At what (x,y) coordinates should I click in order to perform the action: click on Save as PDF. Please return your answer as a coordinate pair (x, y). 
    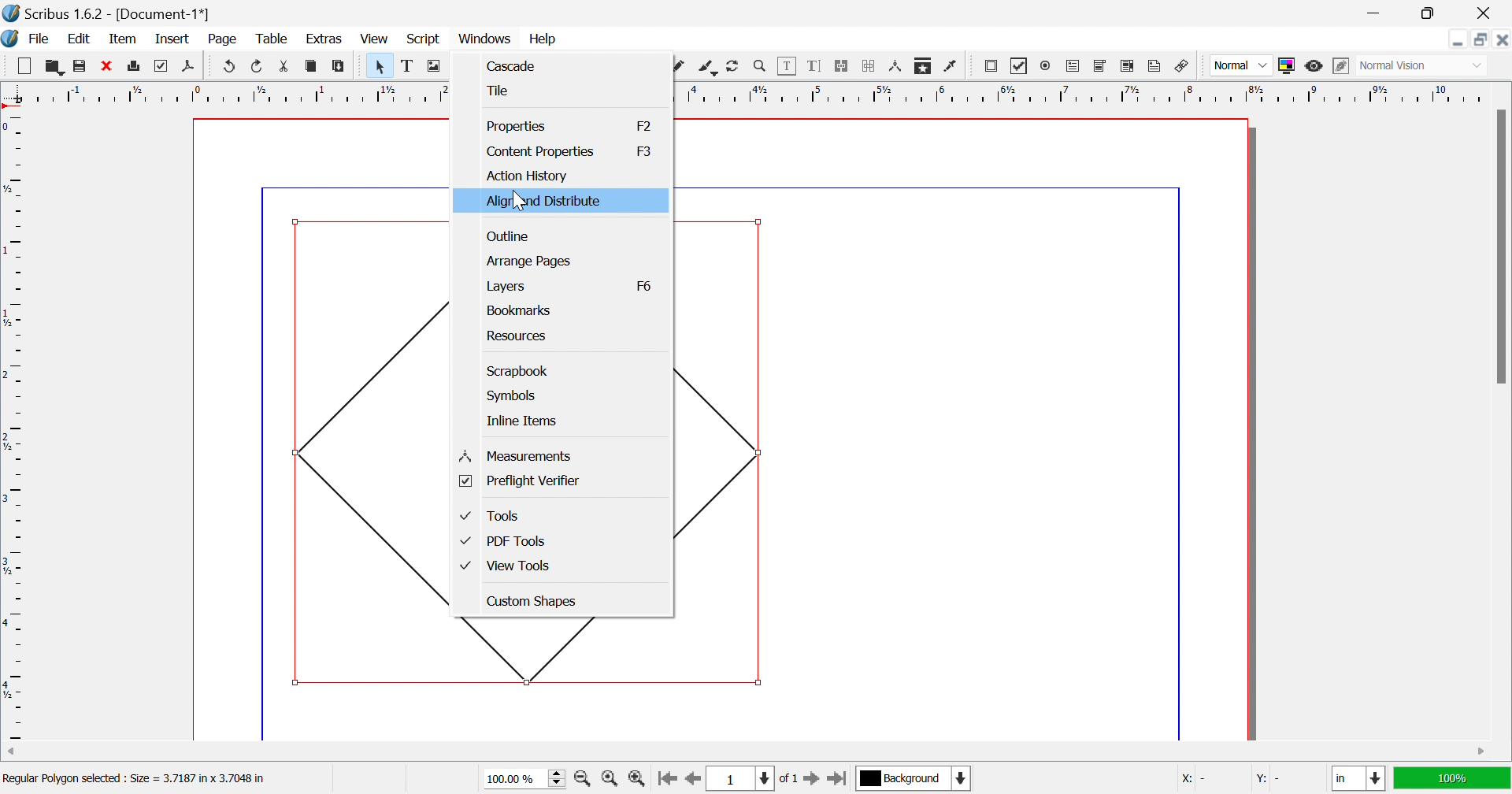
    Looking at the image, I should click on (192, 67).